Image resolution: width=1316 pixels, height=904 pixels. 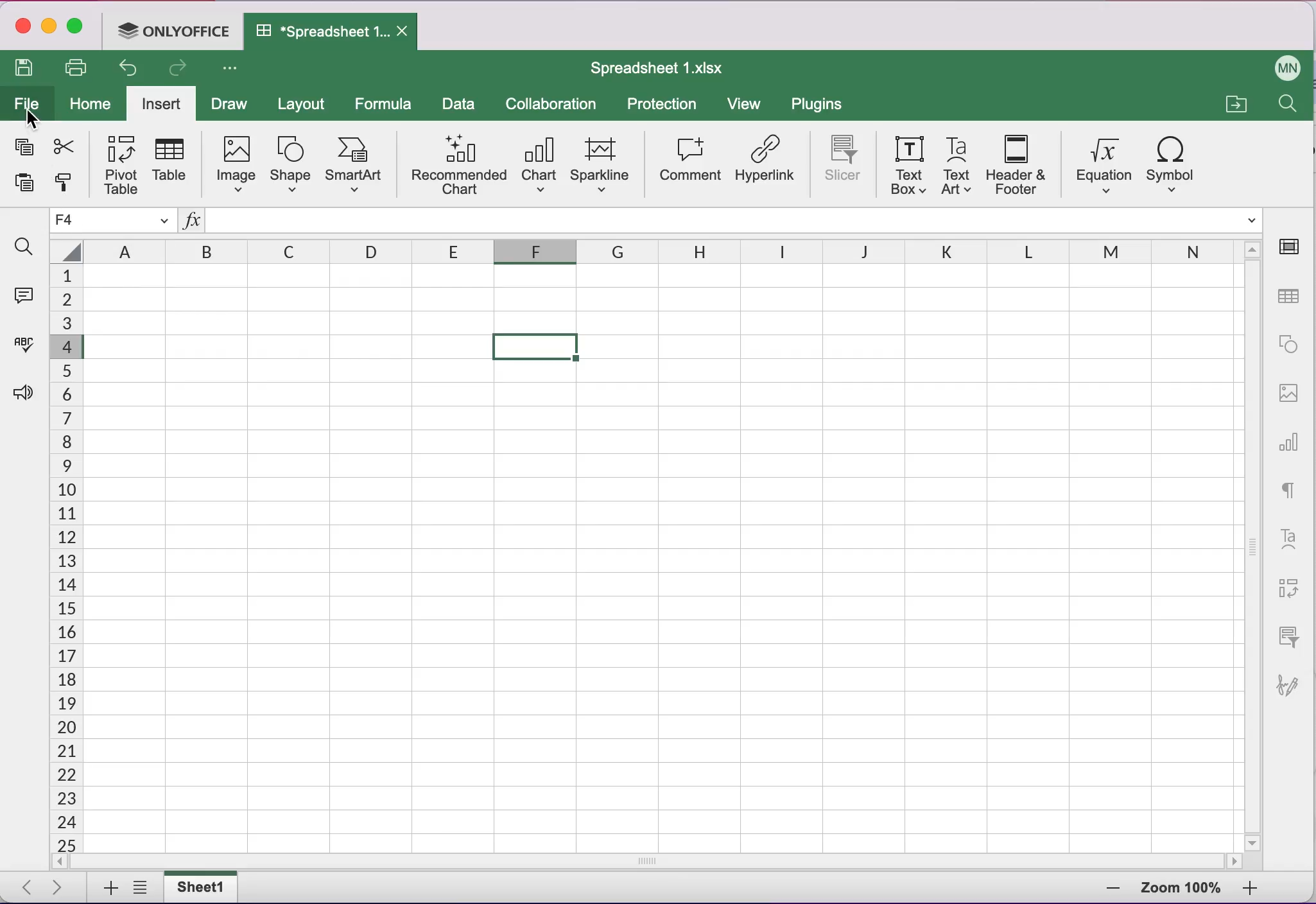 What do you see at coordinates (228, 103) in the screenshot?
I see `draw` at bounding box center [228, 103].